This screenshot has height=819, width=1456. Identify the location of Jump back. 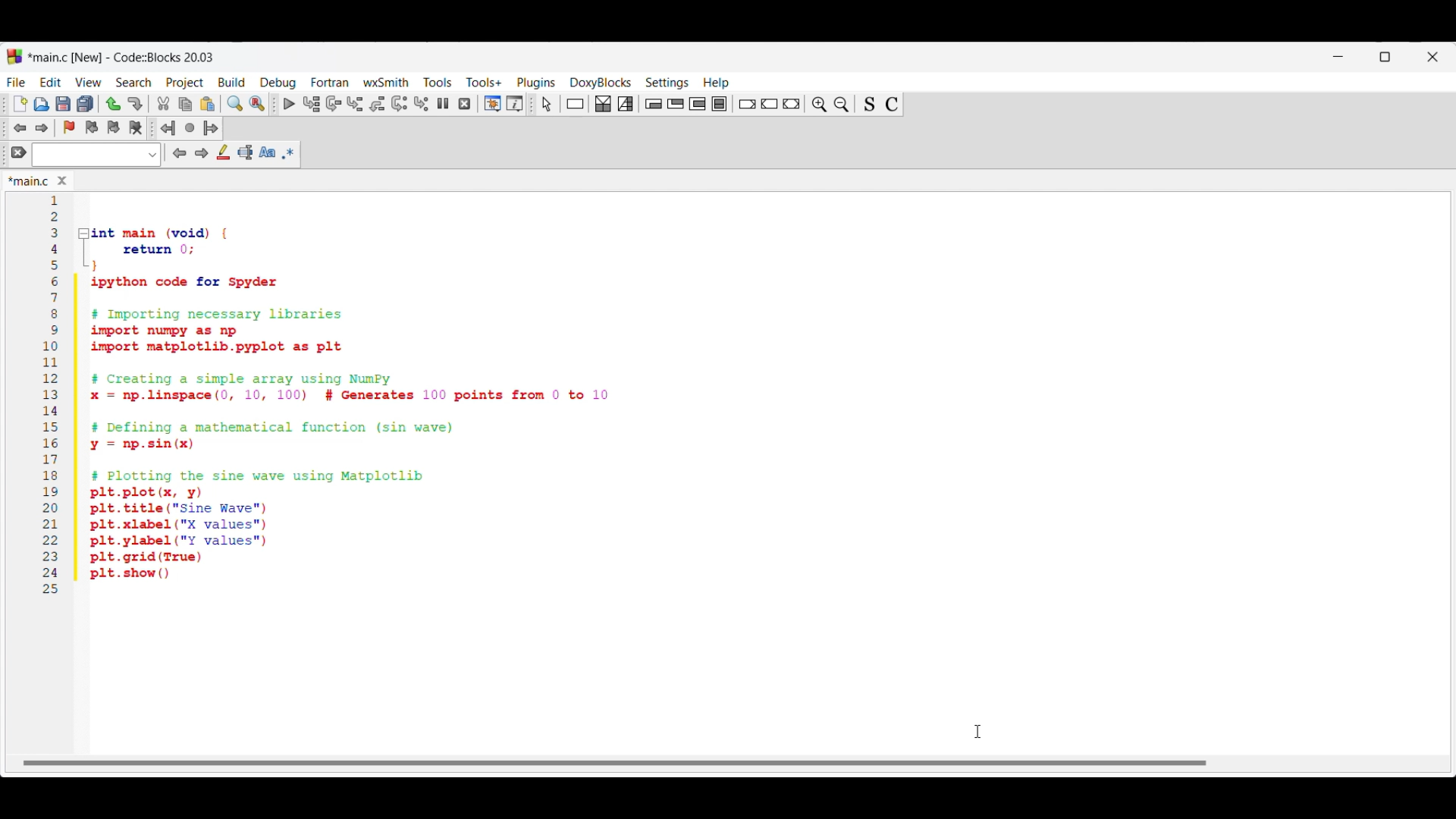
(168, 128).